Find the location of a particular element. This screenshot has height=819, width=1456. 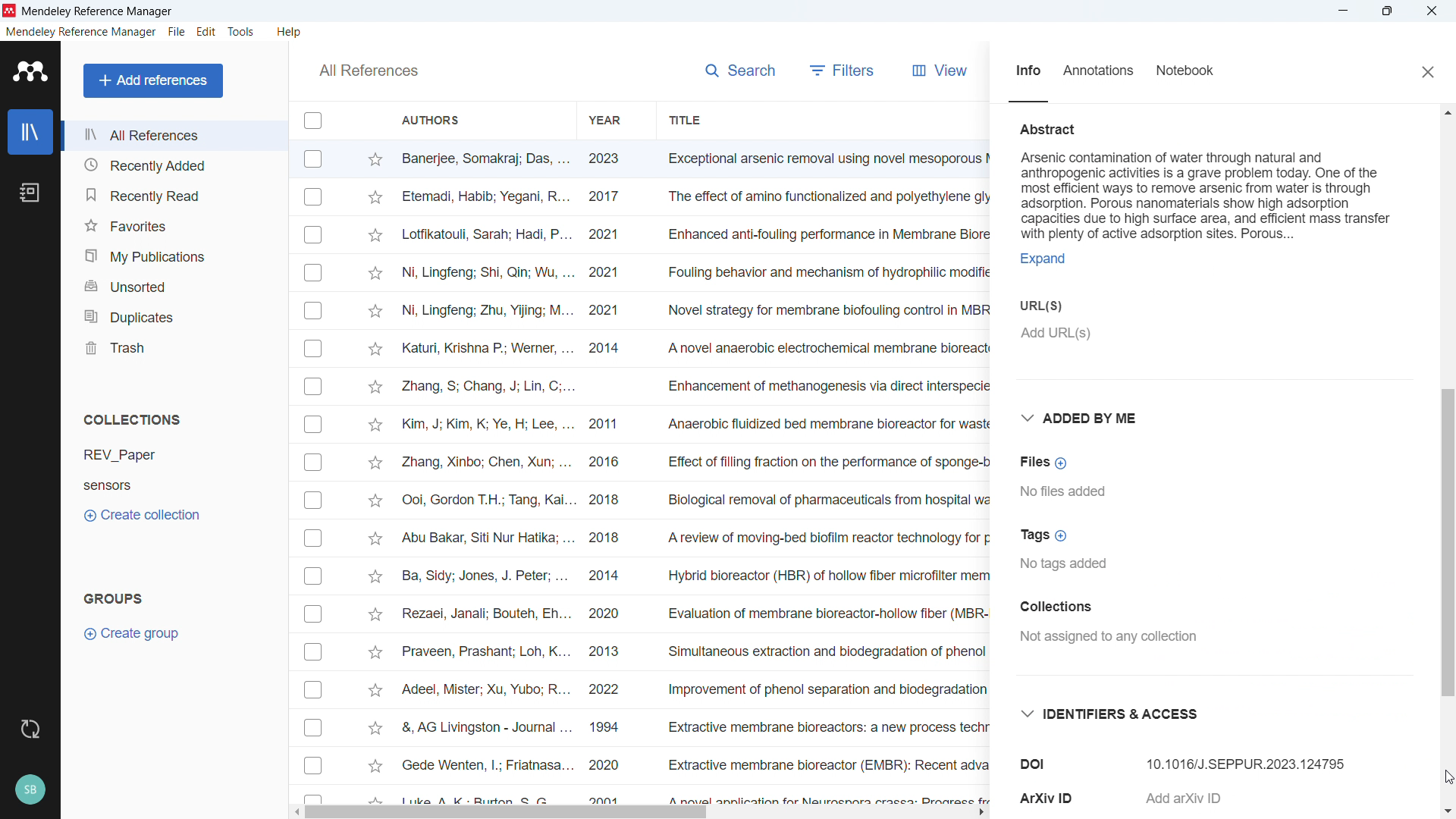

praveen,prashant,loh,k is located at coordinates (486, 653).